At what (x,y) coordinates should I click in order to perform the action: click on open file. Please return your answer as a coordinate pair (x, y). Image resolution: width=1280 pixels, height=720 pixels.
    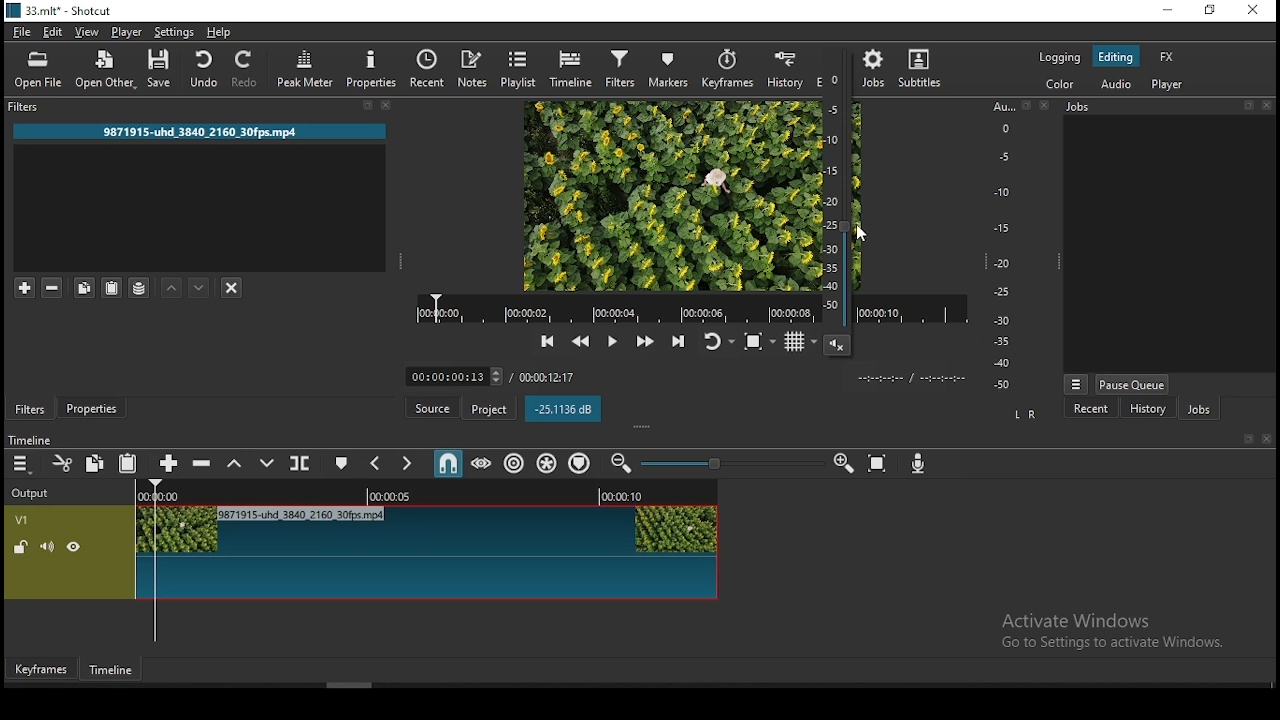
    Looking at the image, I should click on (39, 72).